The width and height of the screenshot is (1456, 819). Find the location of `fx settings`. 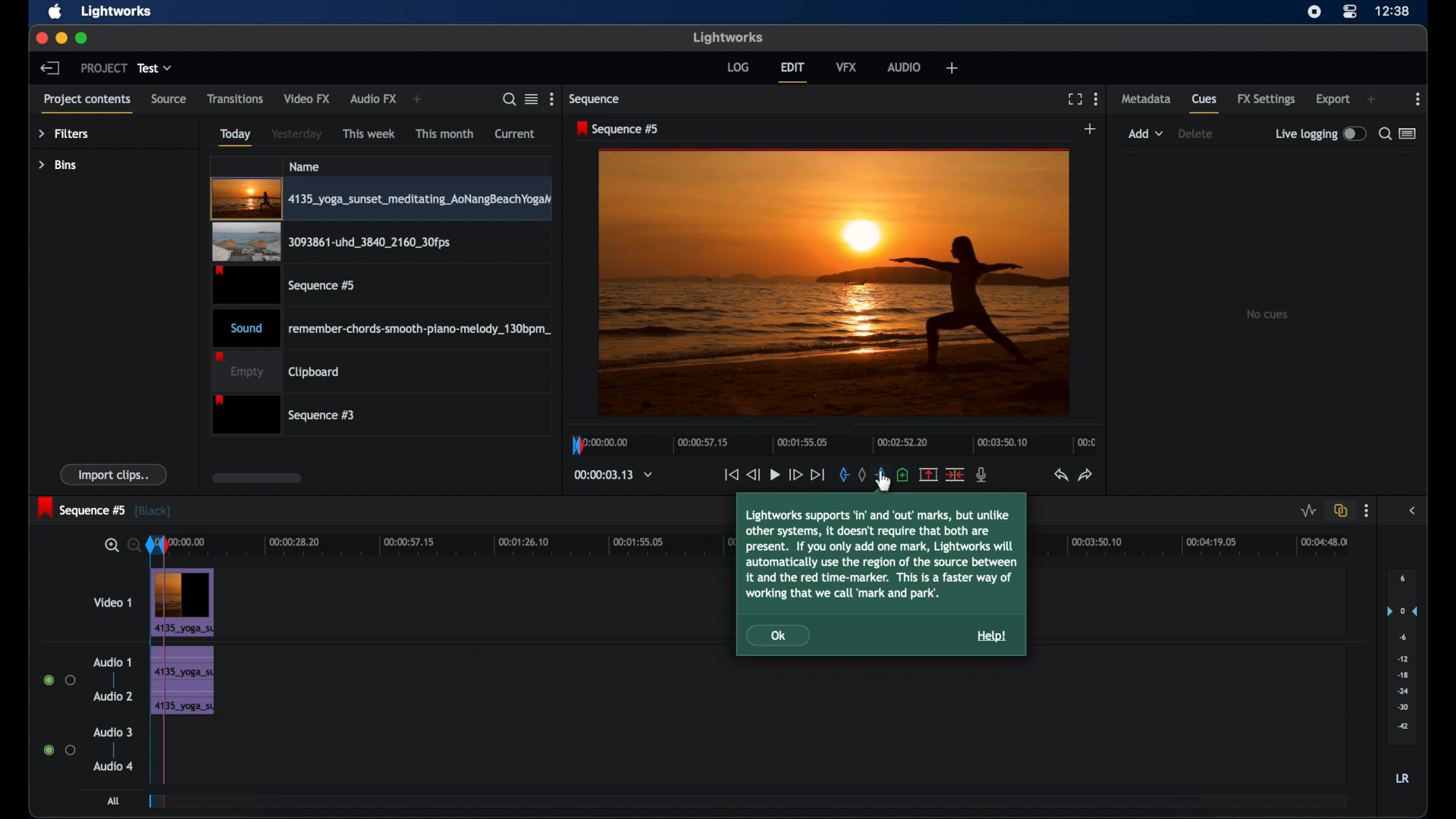

fx settings is located at coordinates (1266, 99).